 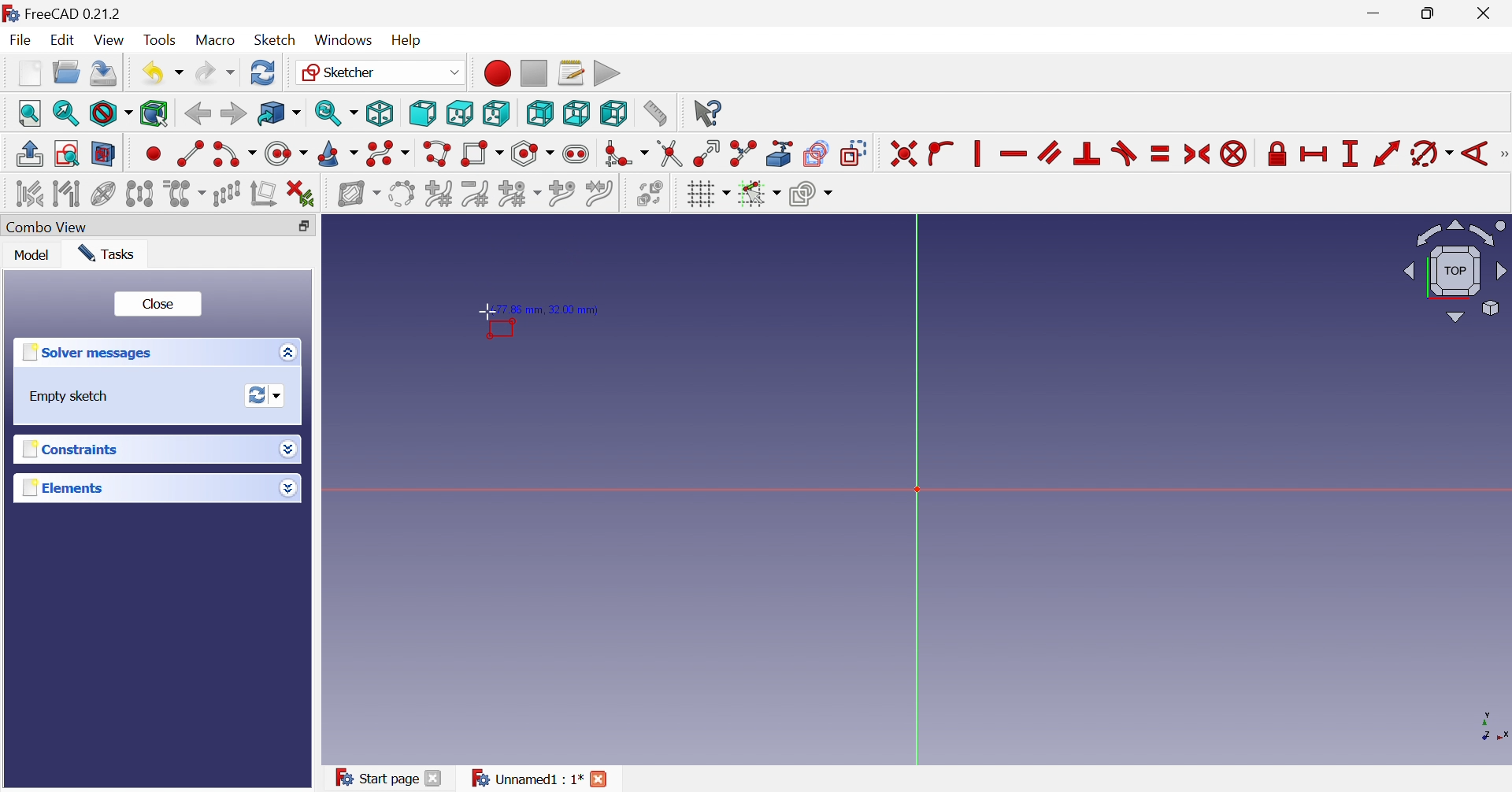 I want to click on Create point, so click(x=154, y=153).